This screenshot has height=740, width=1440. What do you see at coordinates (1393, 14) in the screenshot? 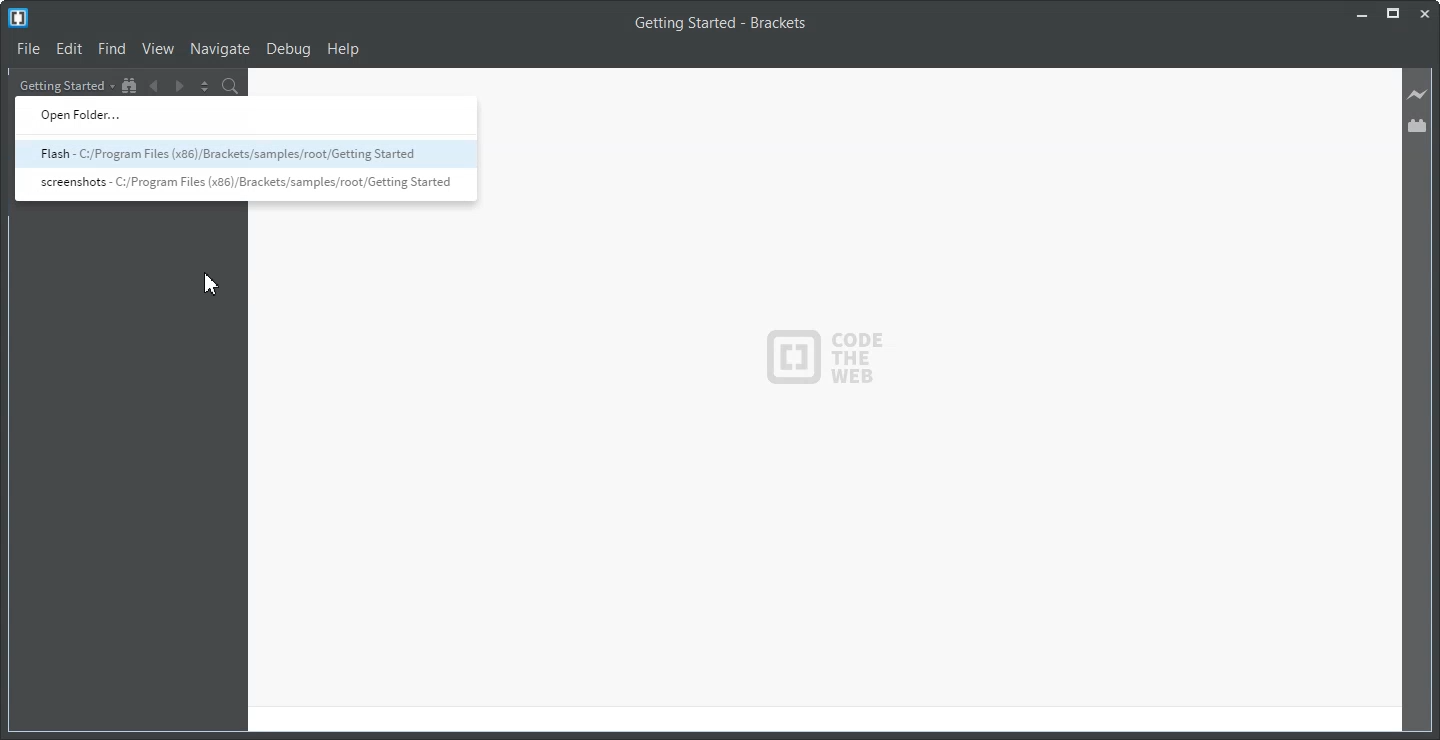
I see `Maximize` at bounding box center [1393, 14].